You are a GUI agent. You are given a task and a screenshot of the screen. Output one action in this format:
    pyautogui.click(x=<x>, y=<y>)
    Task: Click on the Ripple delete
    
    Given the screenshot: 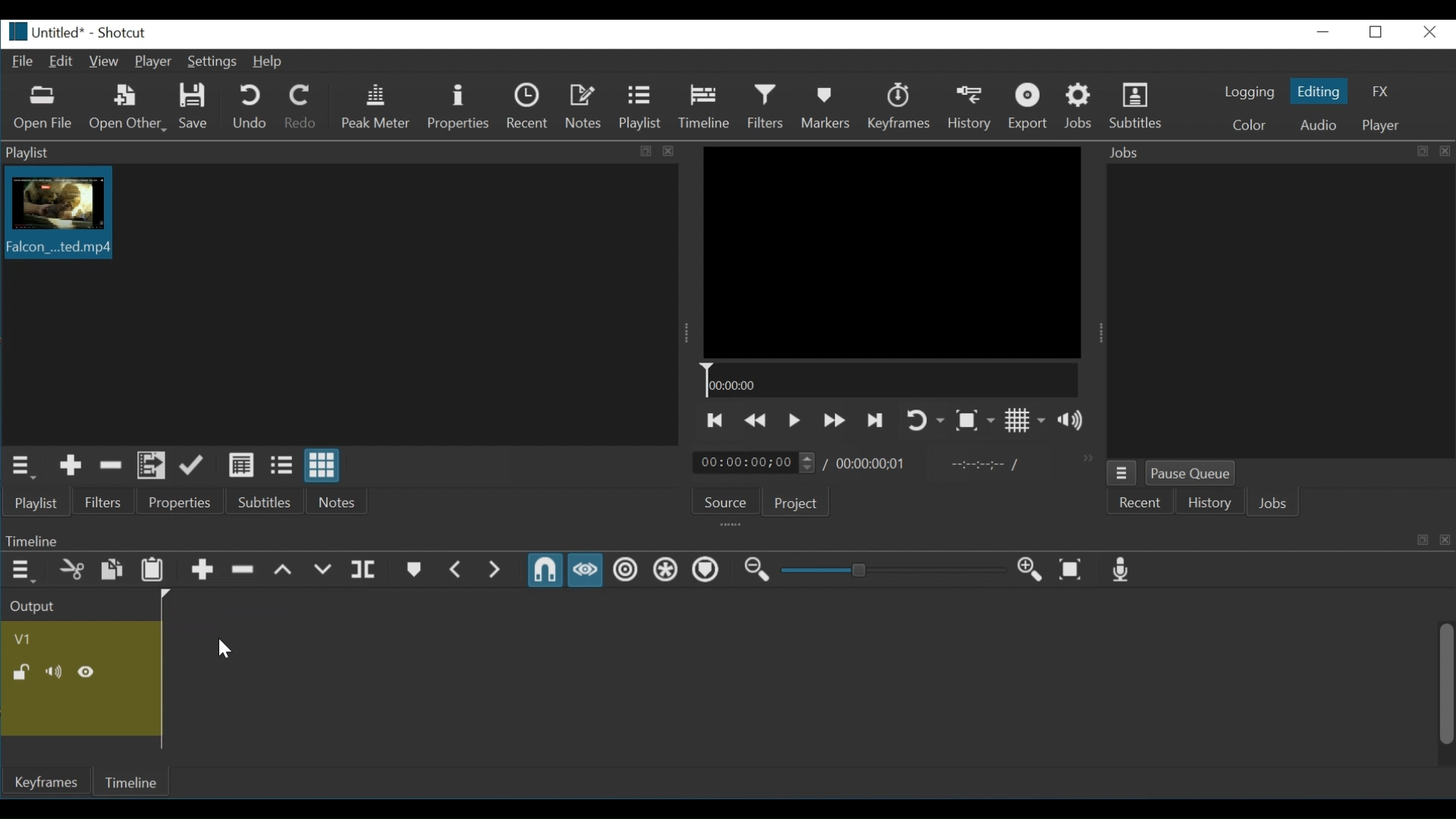 What is the action you would take?
    pyautogui.click(x=243, y=570)
    